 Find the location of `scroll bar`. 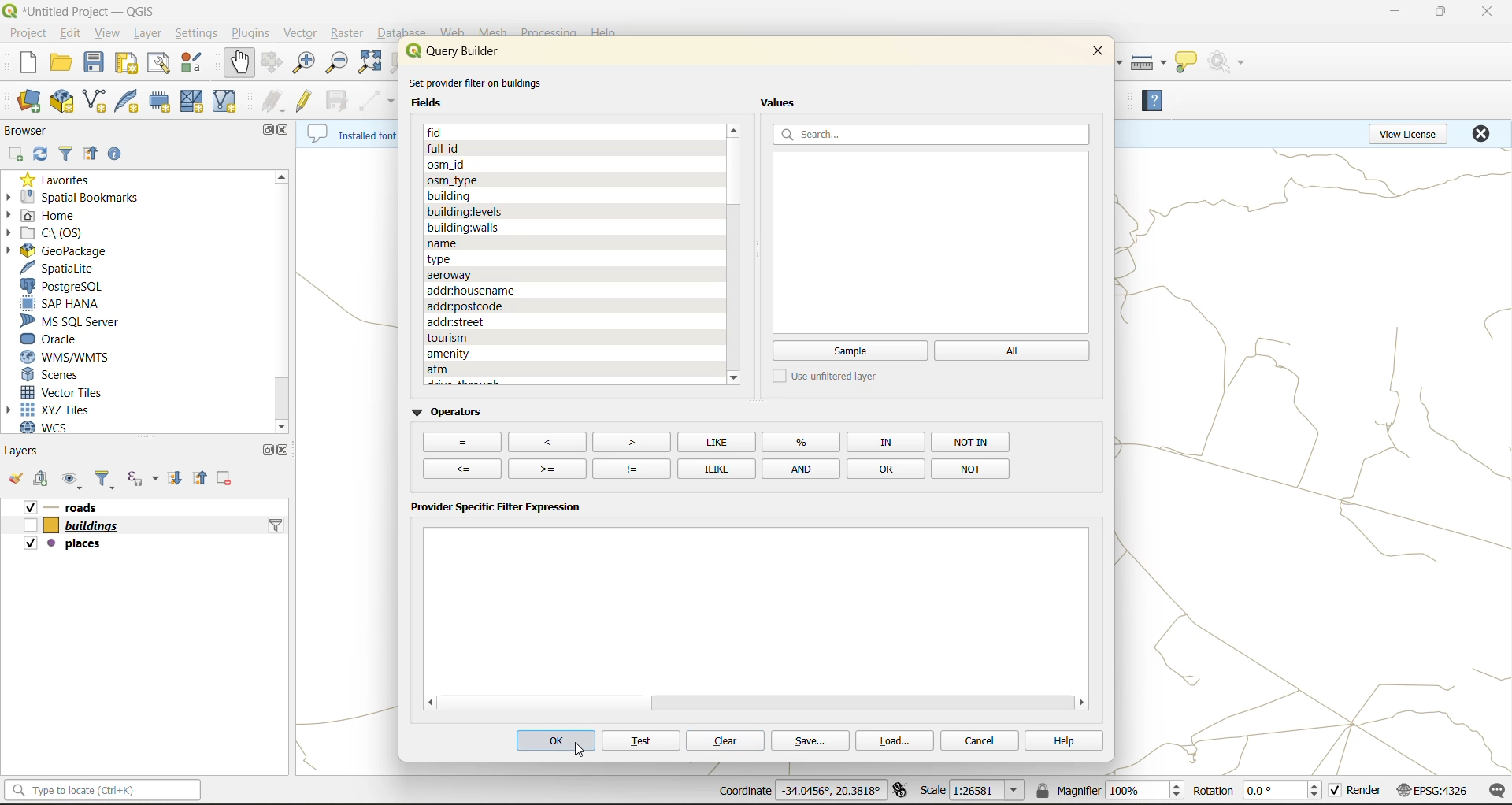

scroll bar is located at coordinates (734, 169).